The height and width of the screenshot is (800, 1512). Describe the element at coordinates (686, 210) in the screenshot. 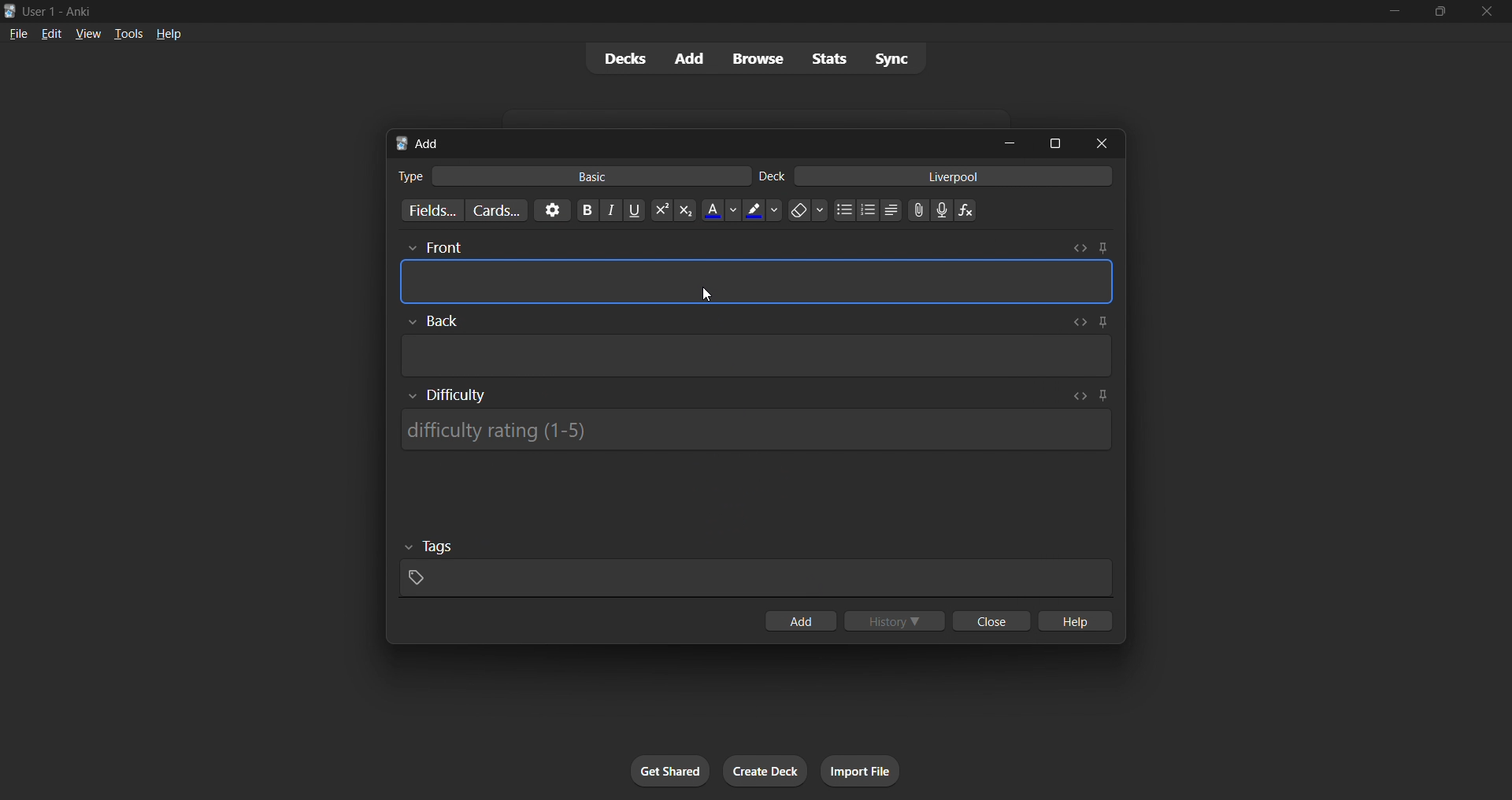

I see `Subscript` at that location.